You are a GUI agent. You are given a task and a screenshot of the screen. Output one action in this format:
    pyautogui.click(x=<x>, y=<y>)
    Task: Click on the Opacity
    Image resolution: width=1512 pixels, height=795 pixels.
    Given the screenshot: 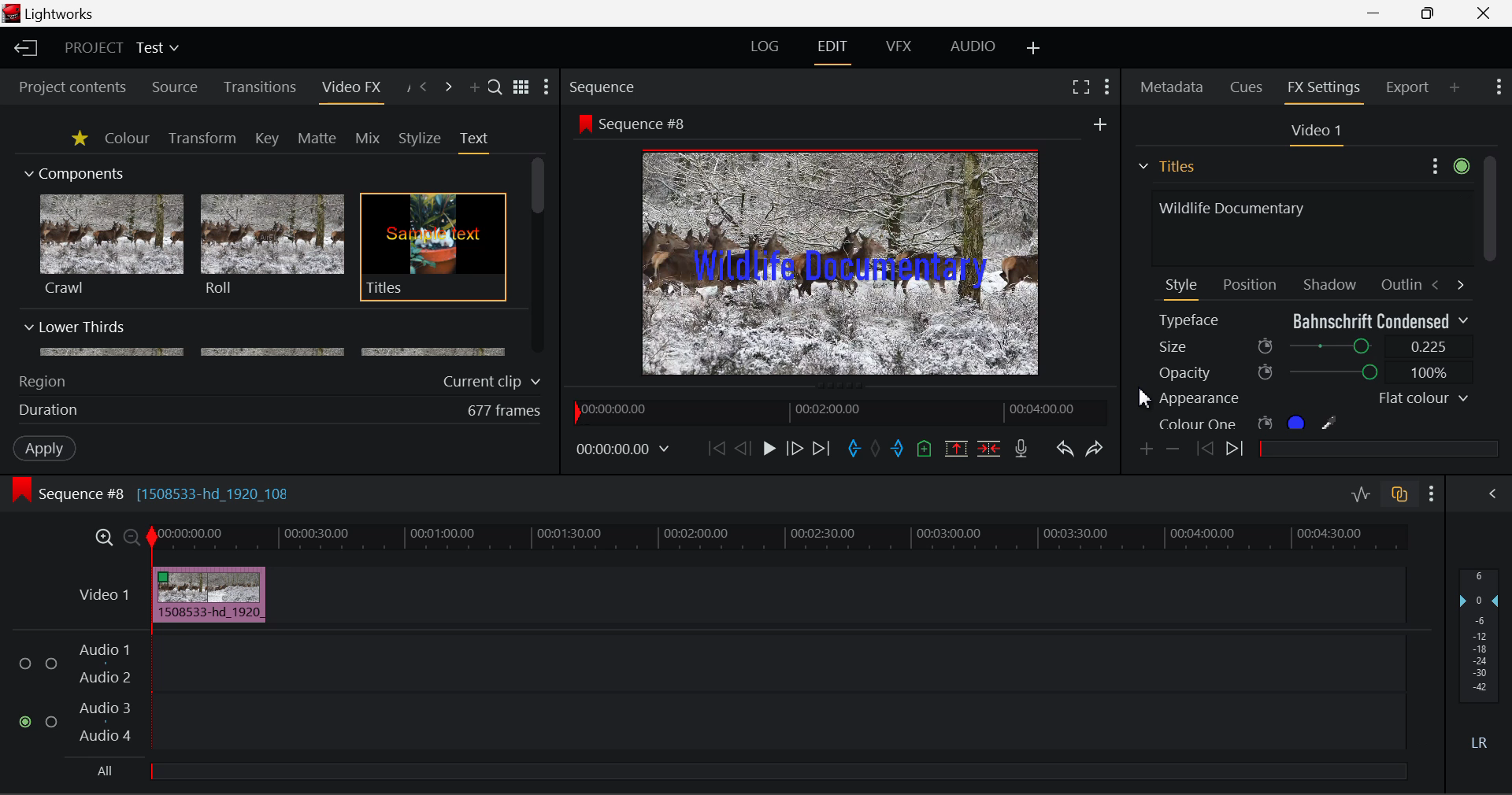 What is the action you would take?
    pyautogui.click(x=1314, y=372)
    